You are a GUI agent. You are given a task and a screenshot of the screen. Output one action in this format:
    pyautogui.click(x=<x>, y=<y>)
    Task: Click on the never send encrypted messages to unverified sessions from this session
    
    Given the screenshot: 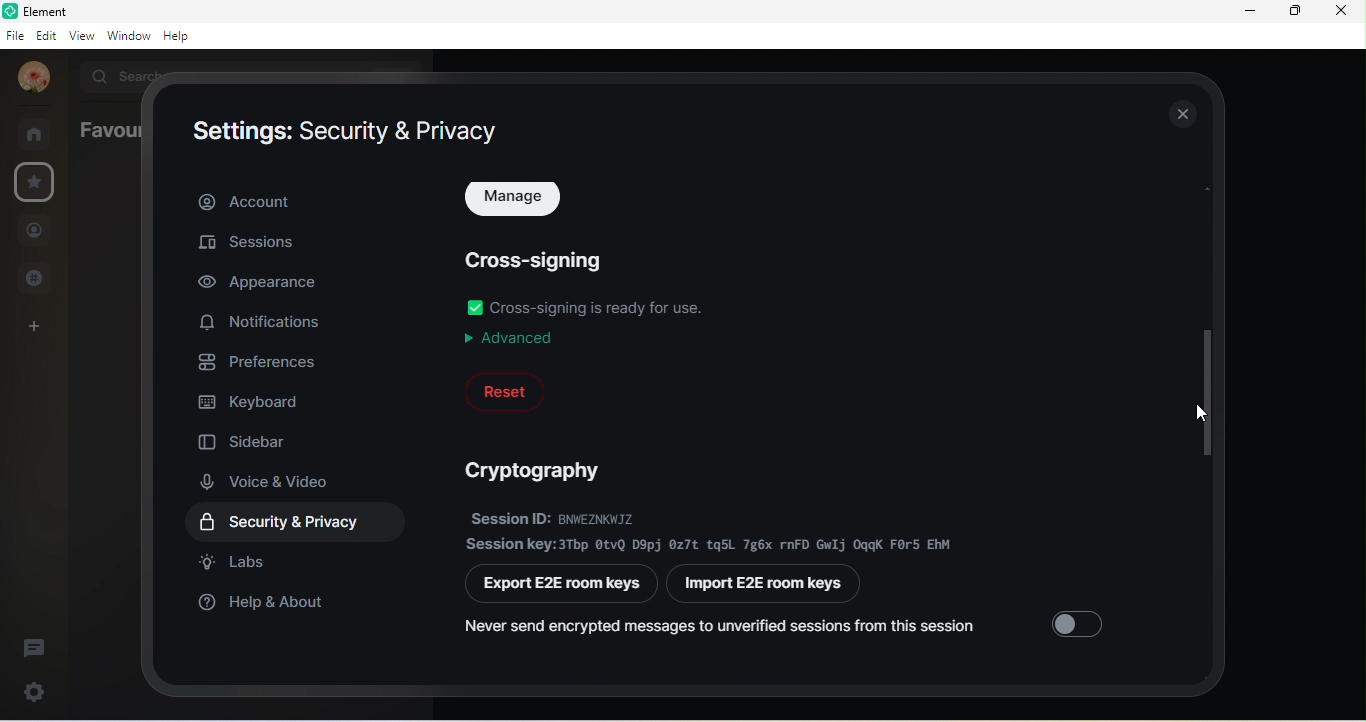 What is the action you would take?
    pyautogui.click(x=721, y=629)
    